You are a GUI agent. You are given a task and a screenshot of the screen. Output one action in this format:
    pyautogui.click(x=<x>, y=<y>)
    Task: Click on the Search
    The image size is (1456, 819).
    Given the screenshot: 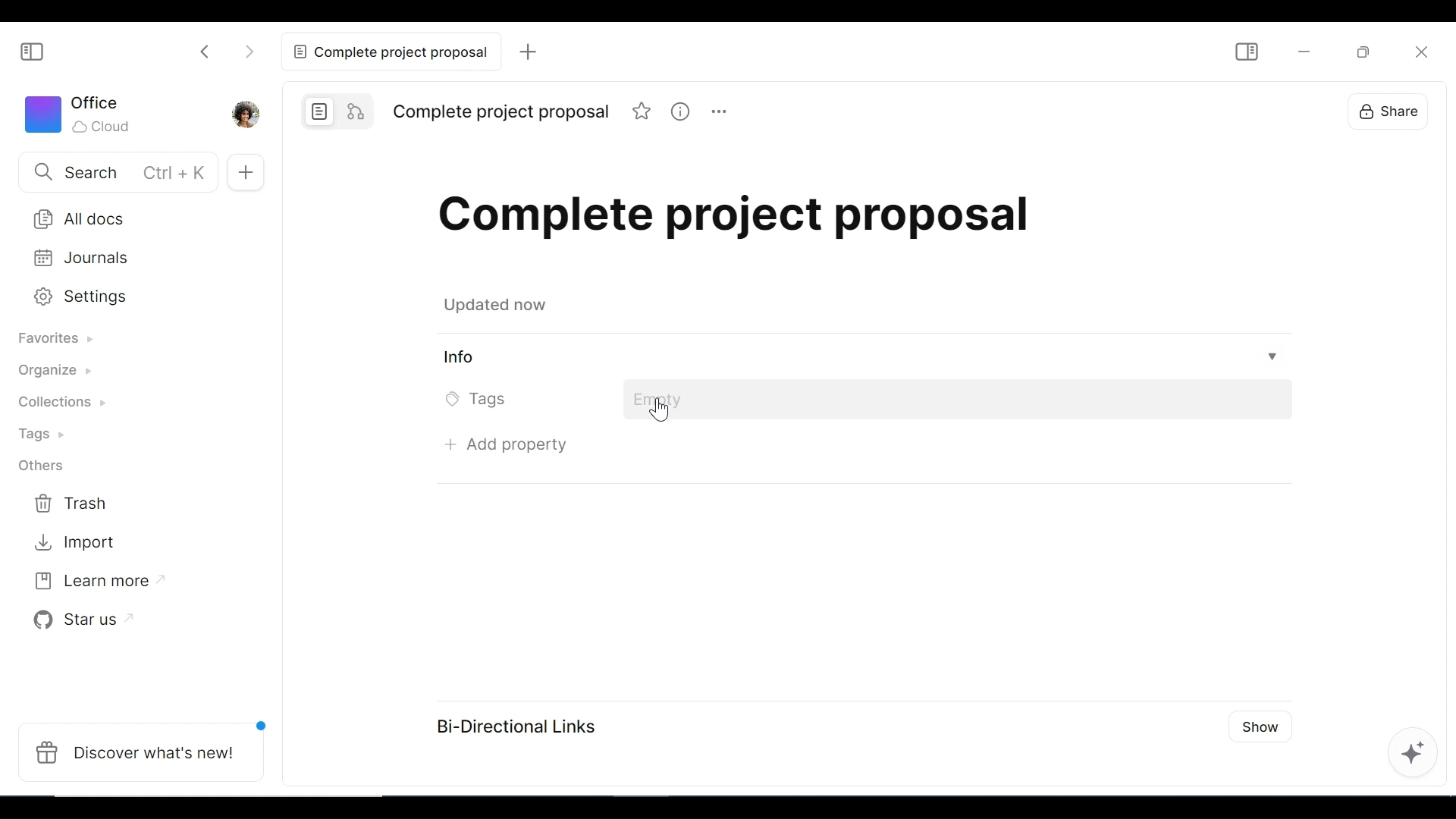 What is the action you would take?
    pyautogui.click(x=115, y=173)
    